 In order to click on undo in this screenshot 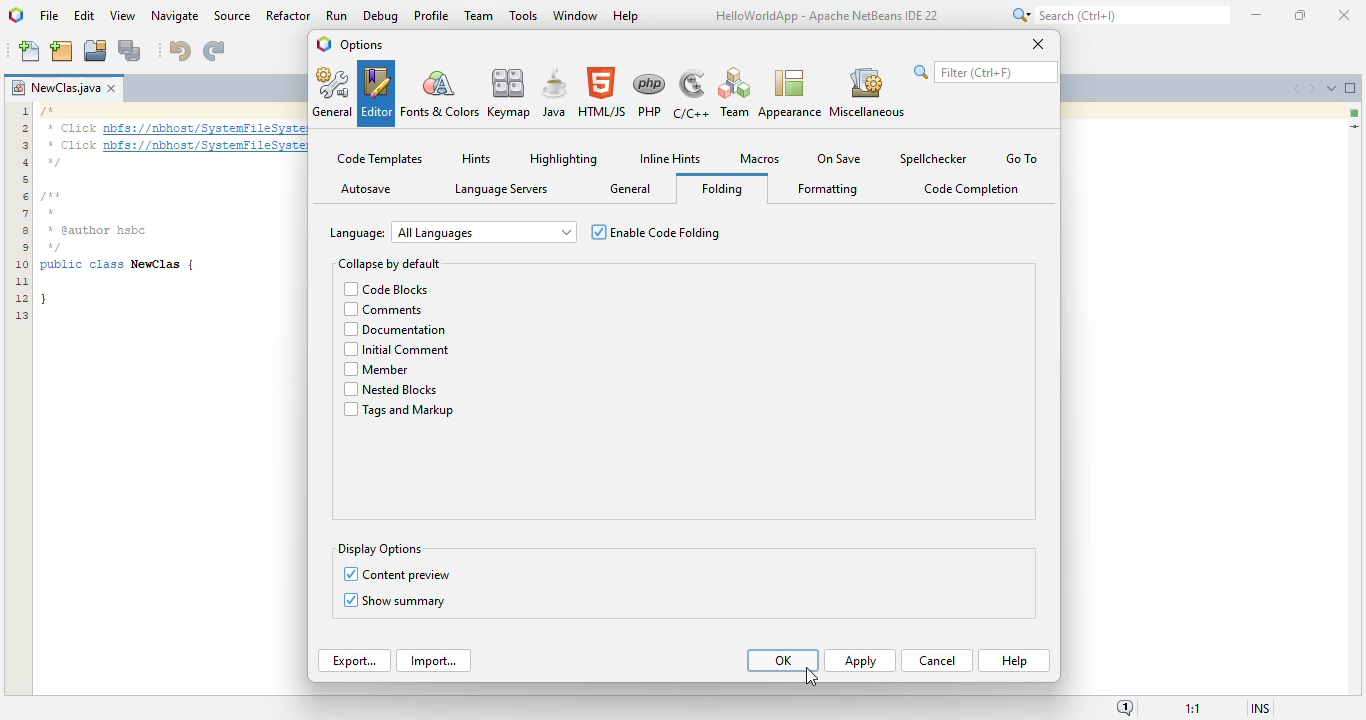, I will do `click(180, 51)`.